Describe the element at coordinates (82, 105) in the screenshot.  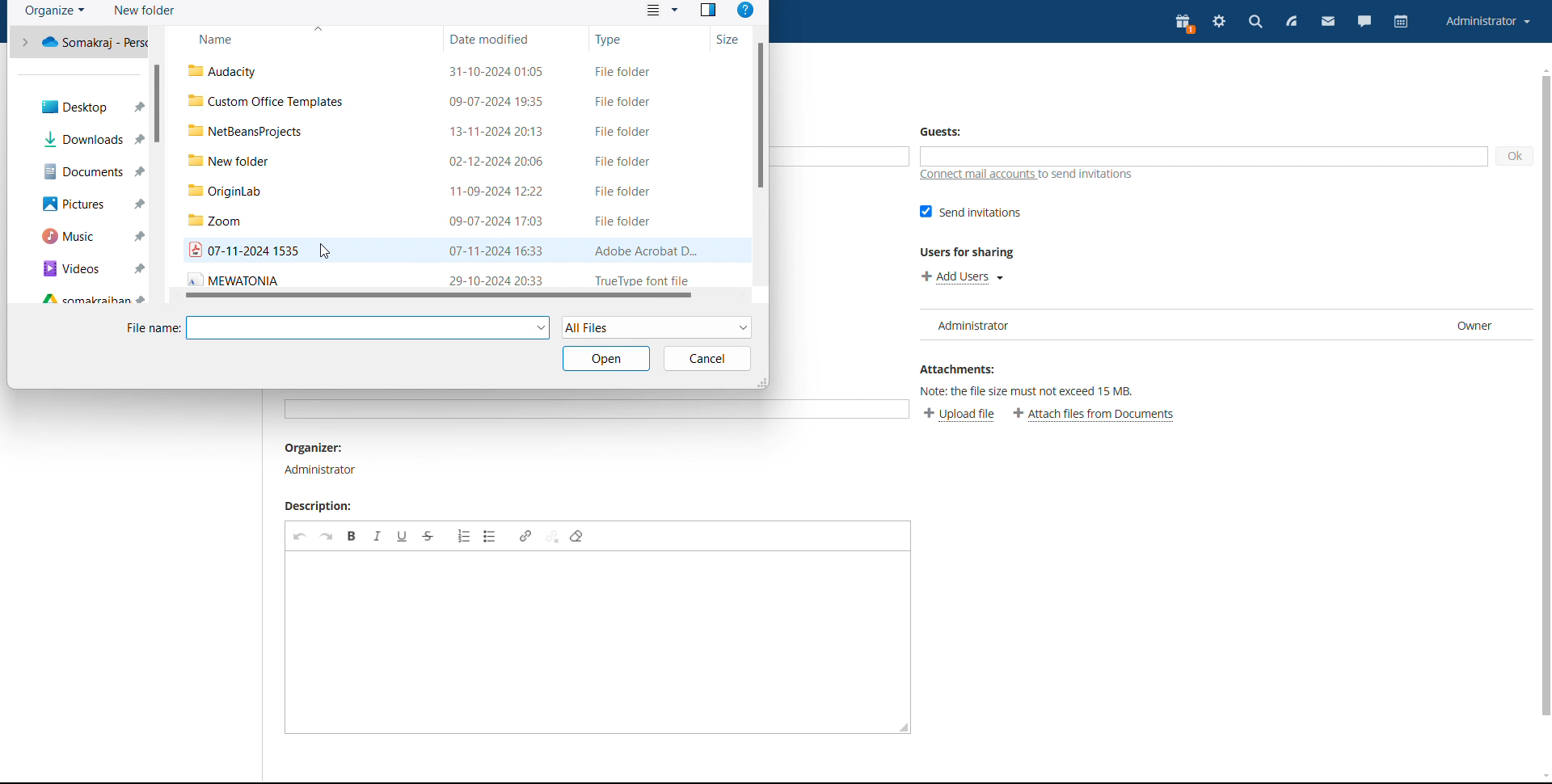
I see `` at that location.